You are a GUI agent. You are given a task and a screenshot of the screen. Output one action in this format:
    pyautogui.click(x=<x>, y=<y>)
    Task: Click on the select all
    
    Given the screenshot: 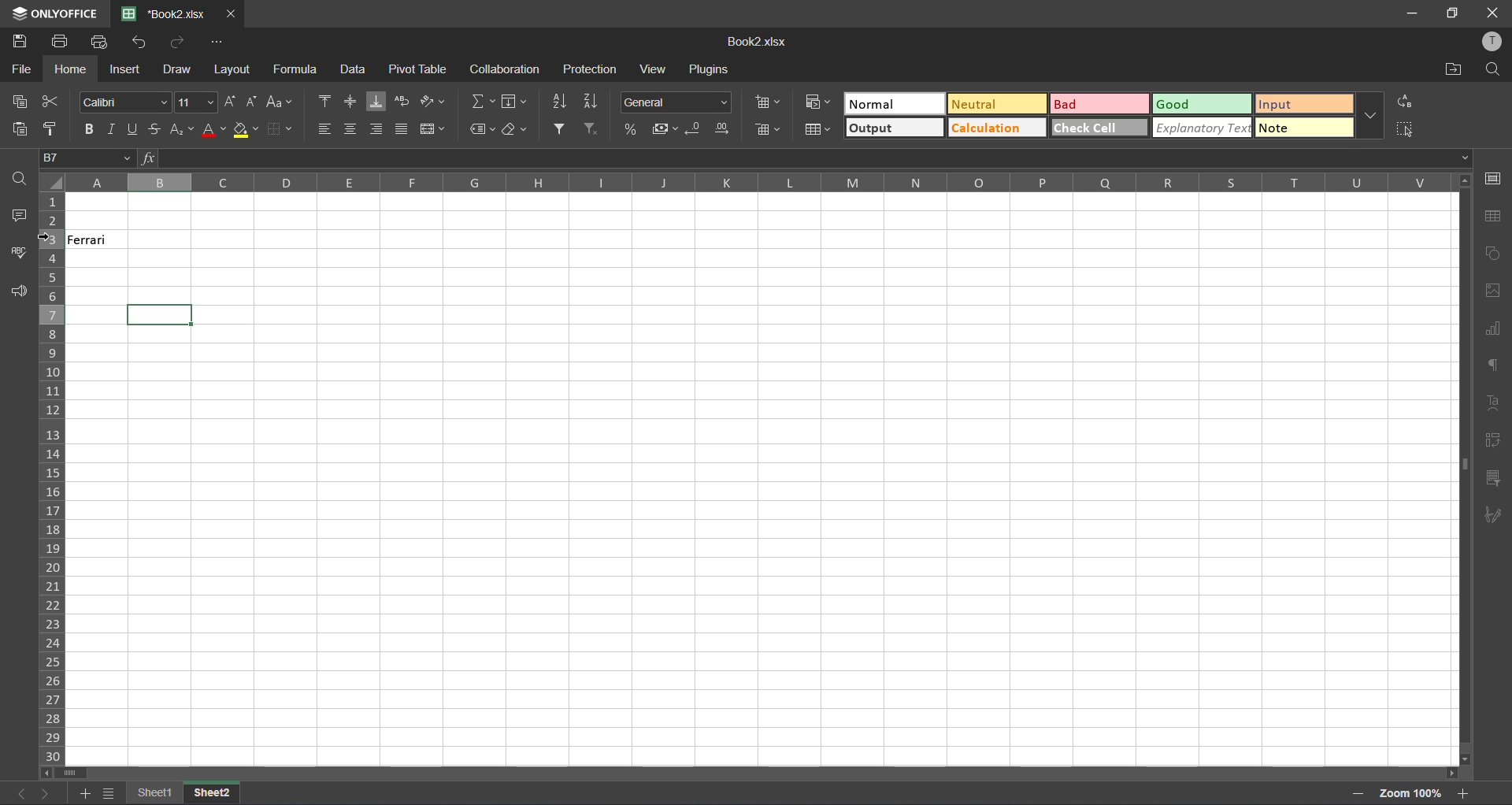 What is the action you would take?
    pyautogui.click(x=1406, y=128)
    